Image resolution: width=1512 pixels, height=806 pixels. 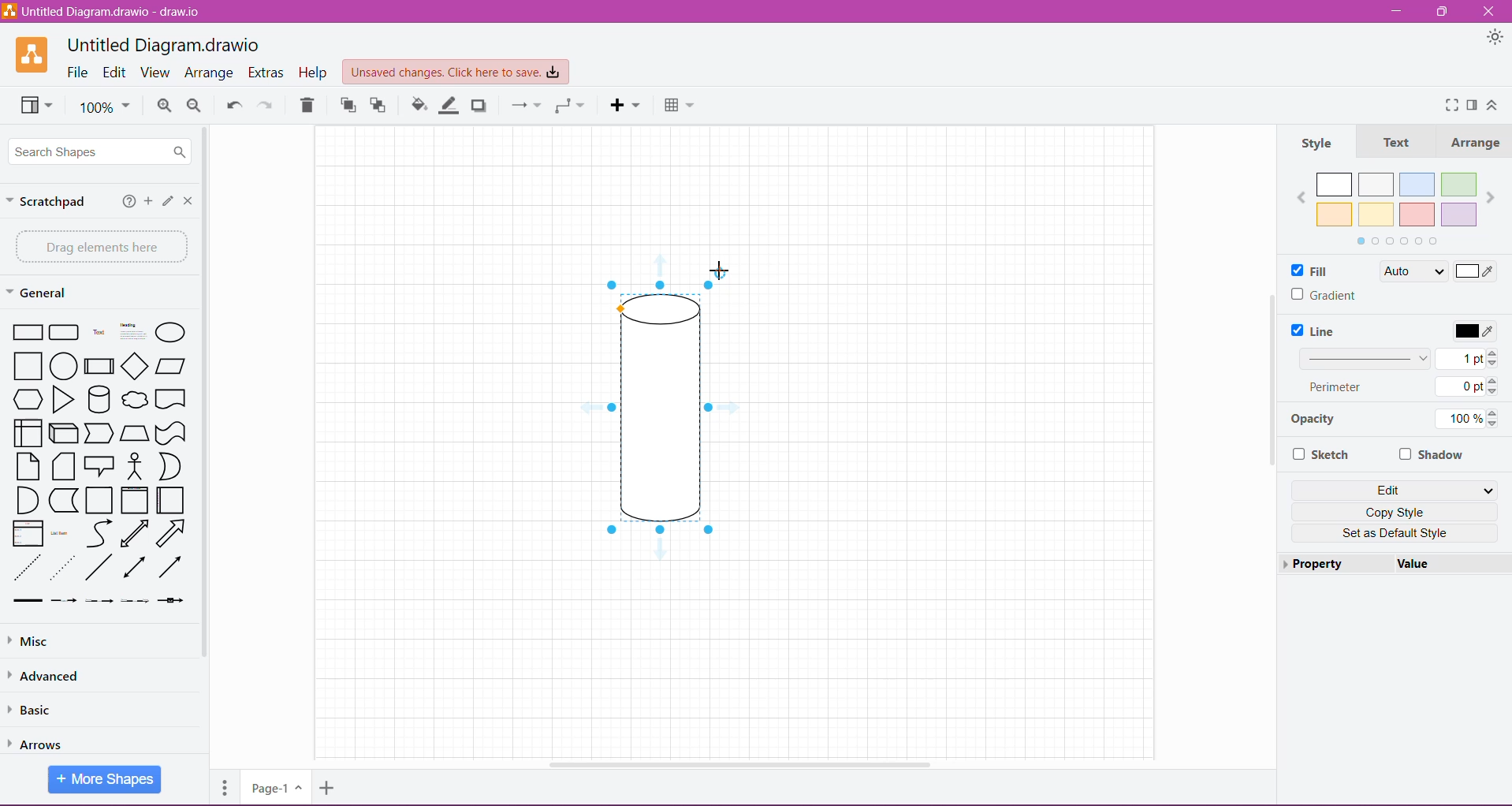 I want to click on Pages, so click(x=223, y=791).